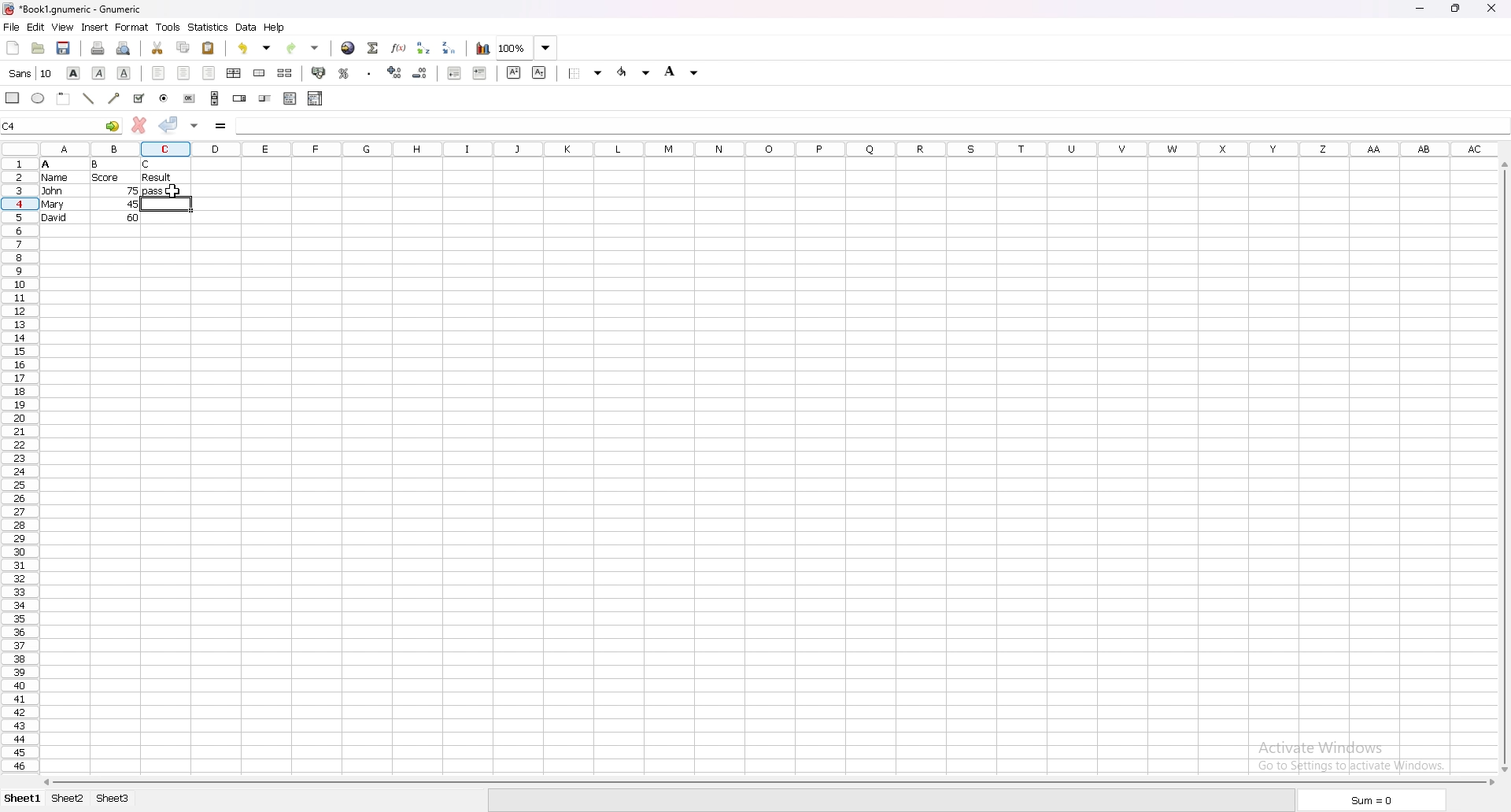 The height and width of the screenshot is (812, 1511). What do you see at coordinates (294, 126) in the screenshot?
I see `cell input` at bounding box center [294, 126].